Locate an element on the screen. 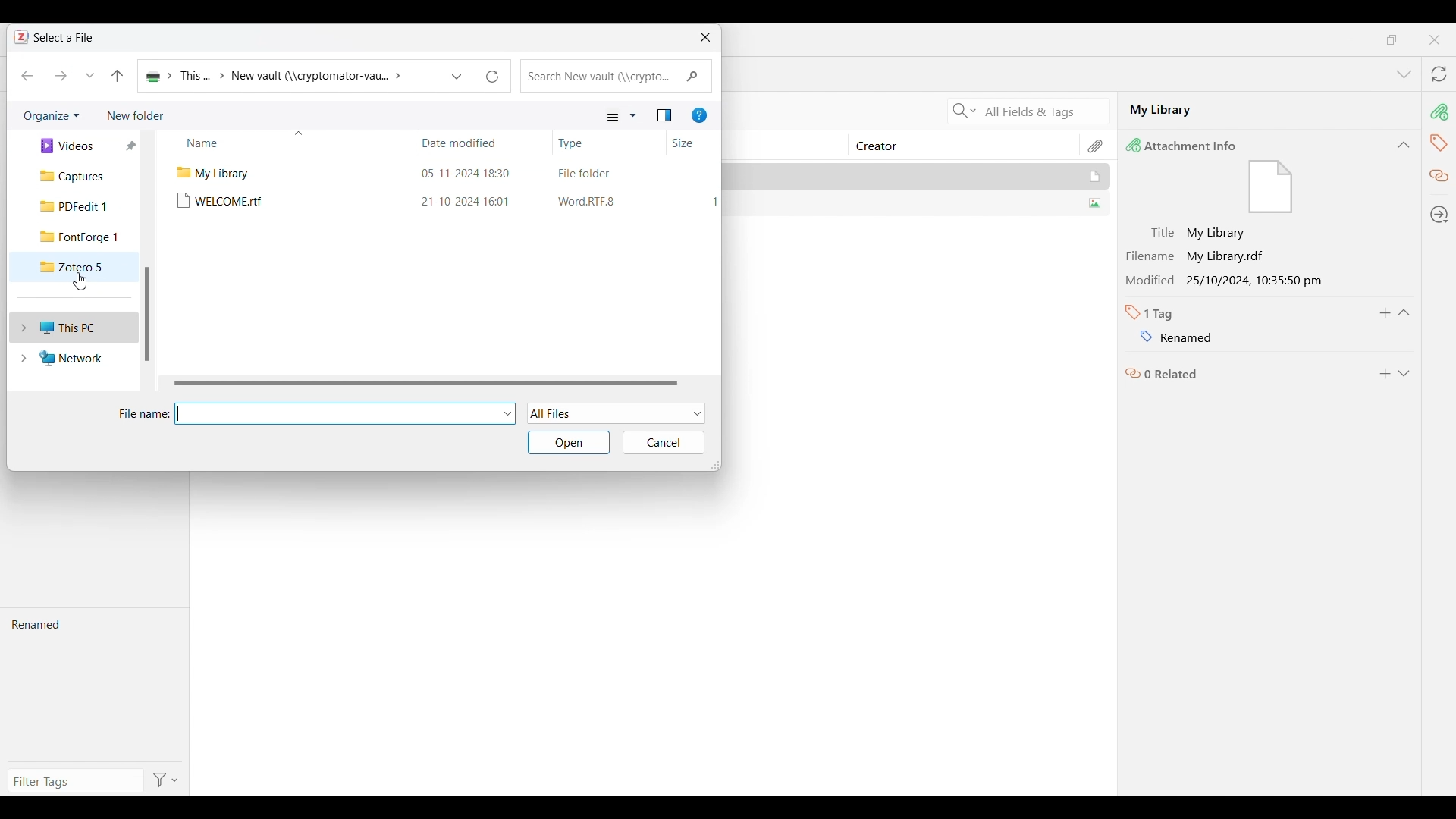 The image size is (1456, 819). Renamed is located at coordinates (96, 688).